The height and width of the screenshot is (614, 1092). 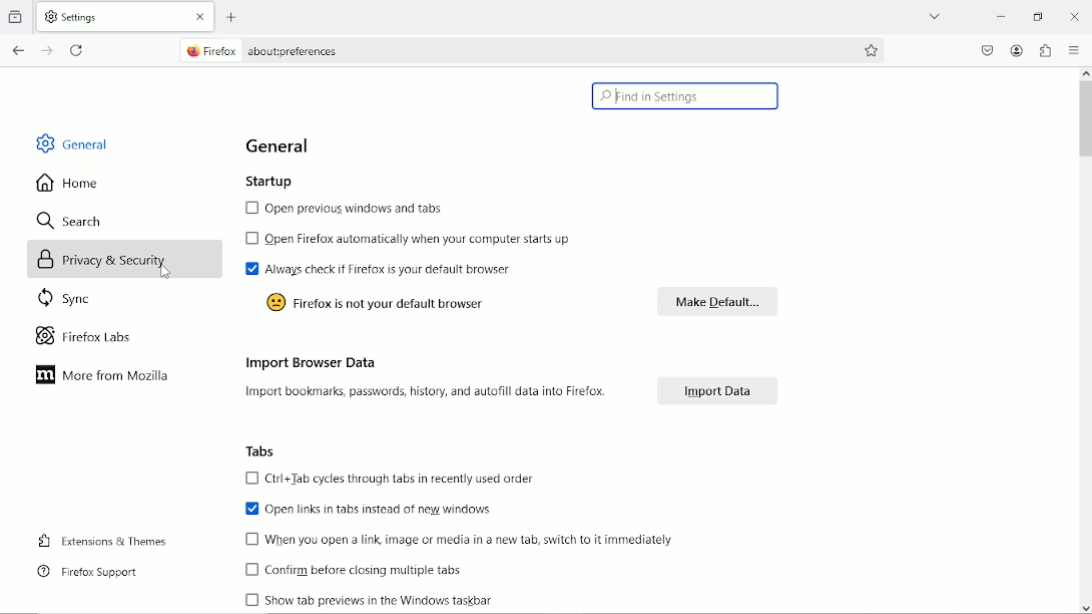 I want to click on extensions & themes, so click(x=100, y=541).